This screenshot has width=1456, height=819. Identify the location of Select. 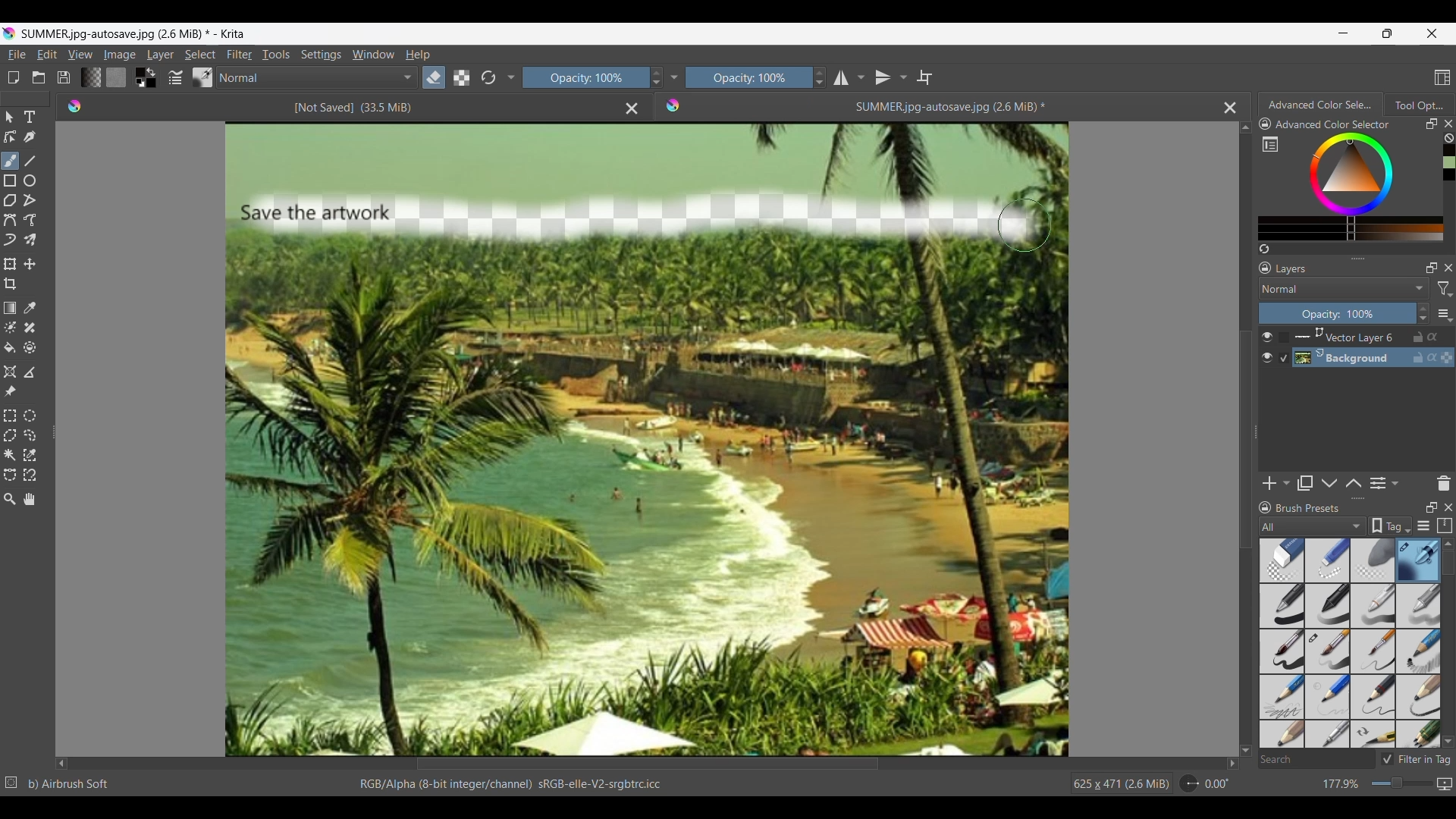
(200, 55).